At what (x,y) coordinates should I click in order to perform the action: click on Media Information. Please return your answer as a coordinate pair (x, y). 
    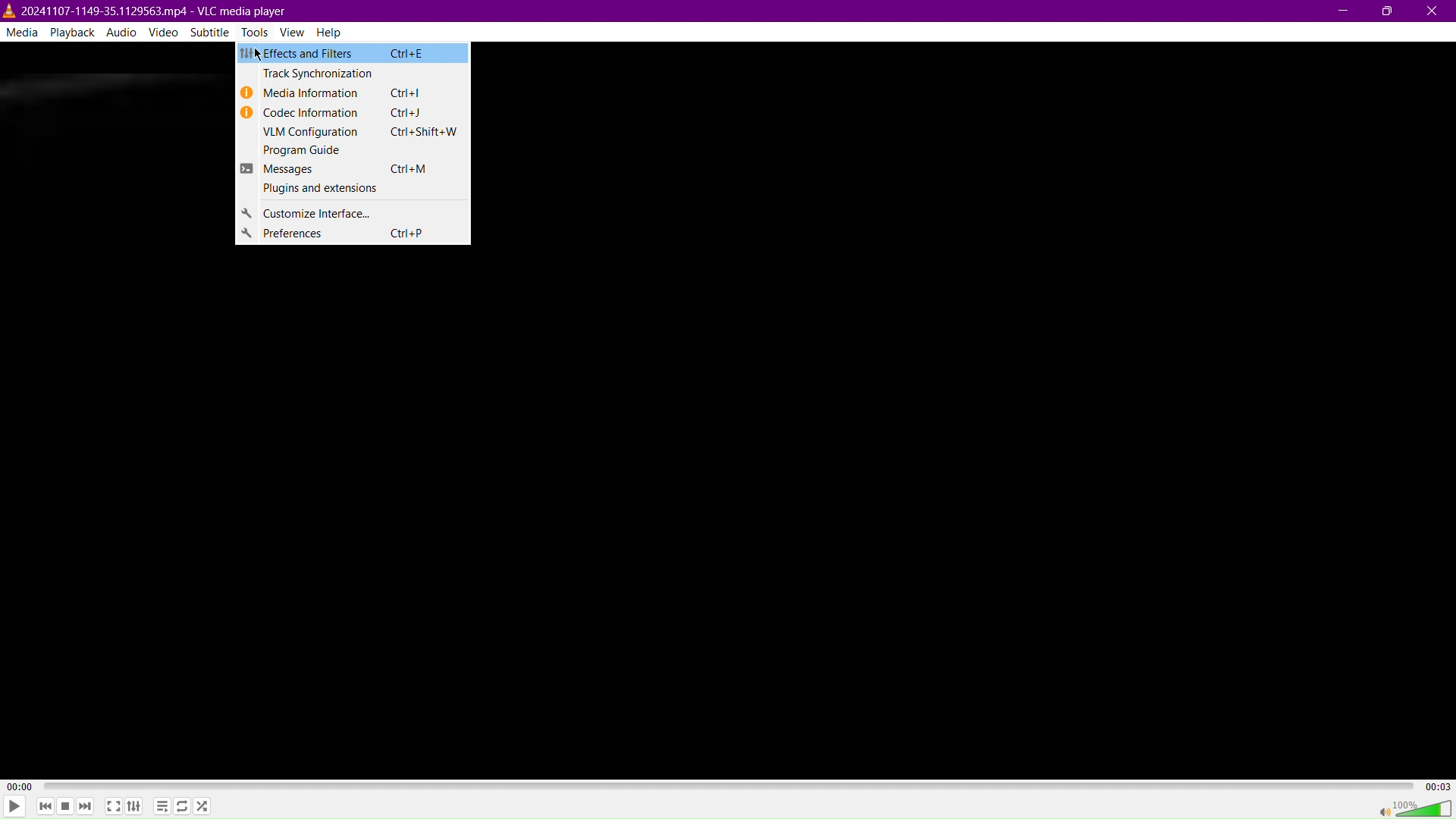
    Looking at the image, I should click on (356, 93).